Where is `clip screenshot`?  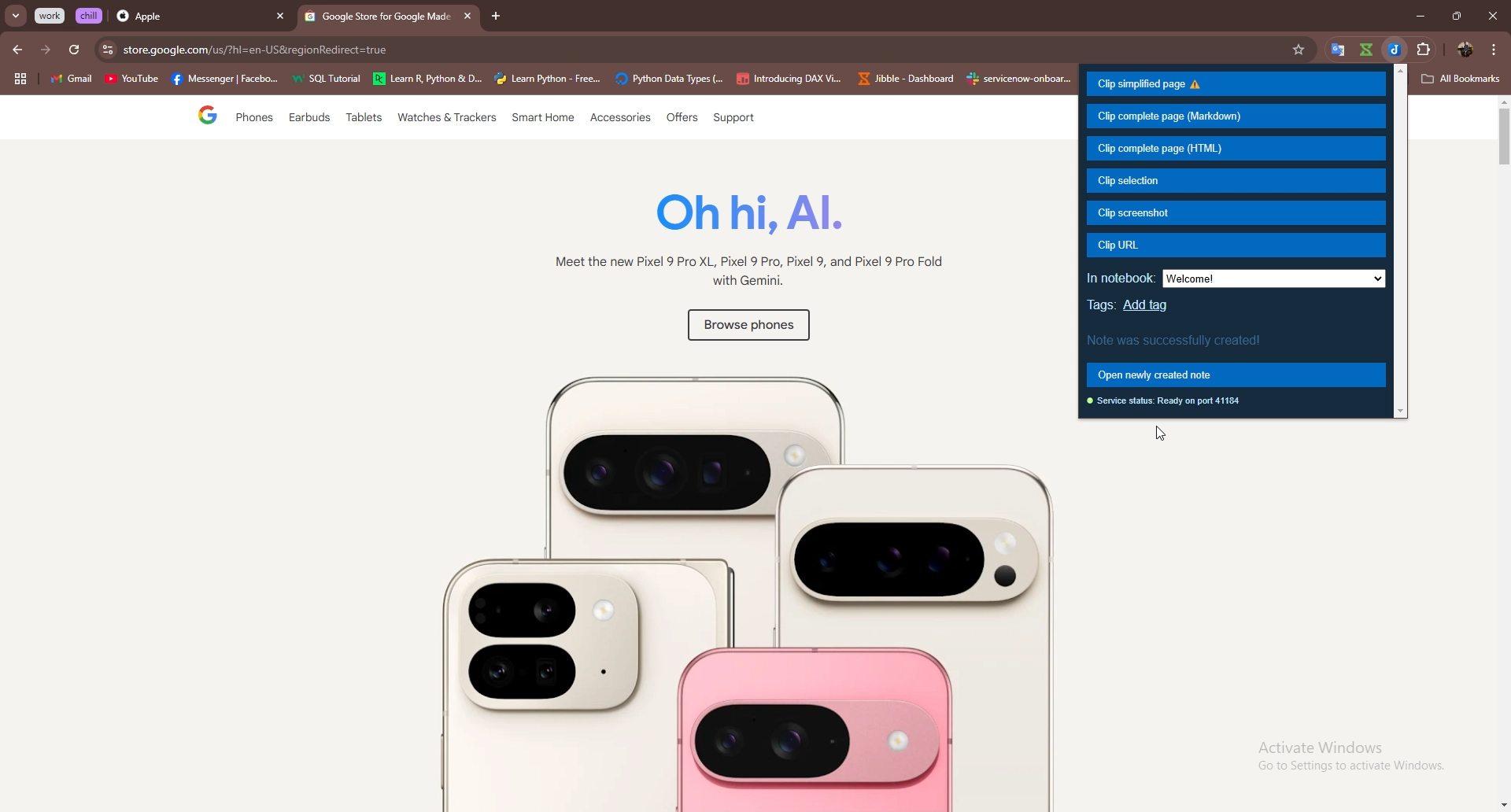 clip screenshot is located at coordinates (1238, 212).